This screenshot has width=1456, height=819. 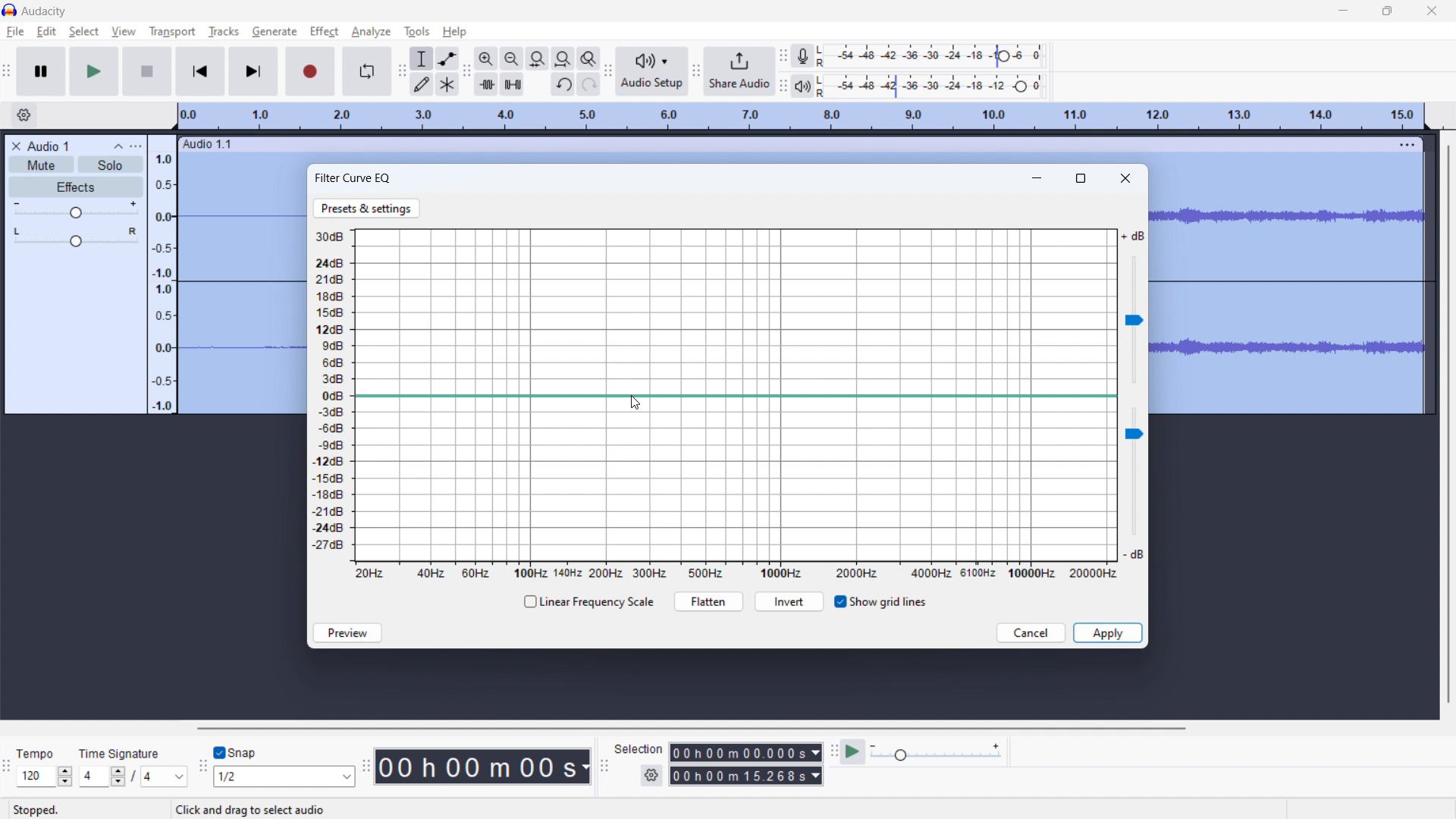 I want to click on tools toolbar, so click(x=400, y=71).